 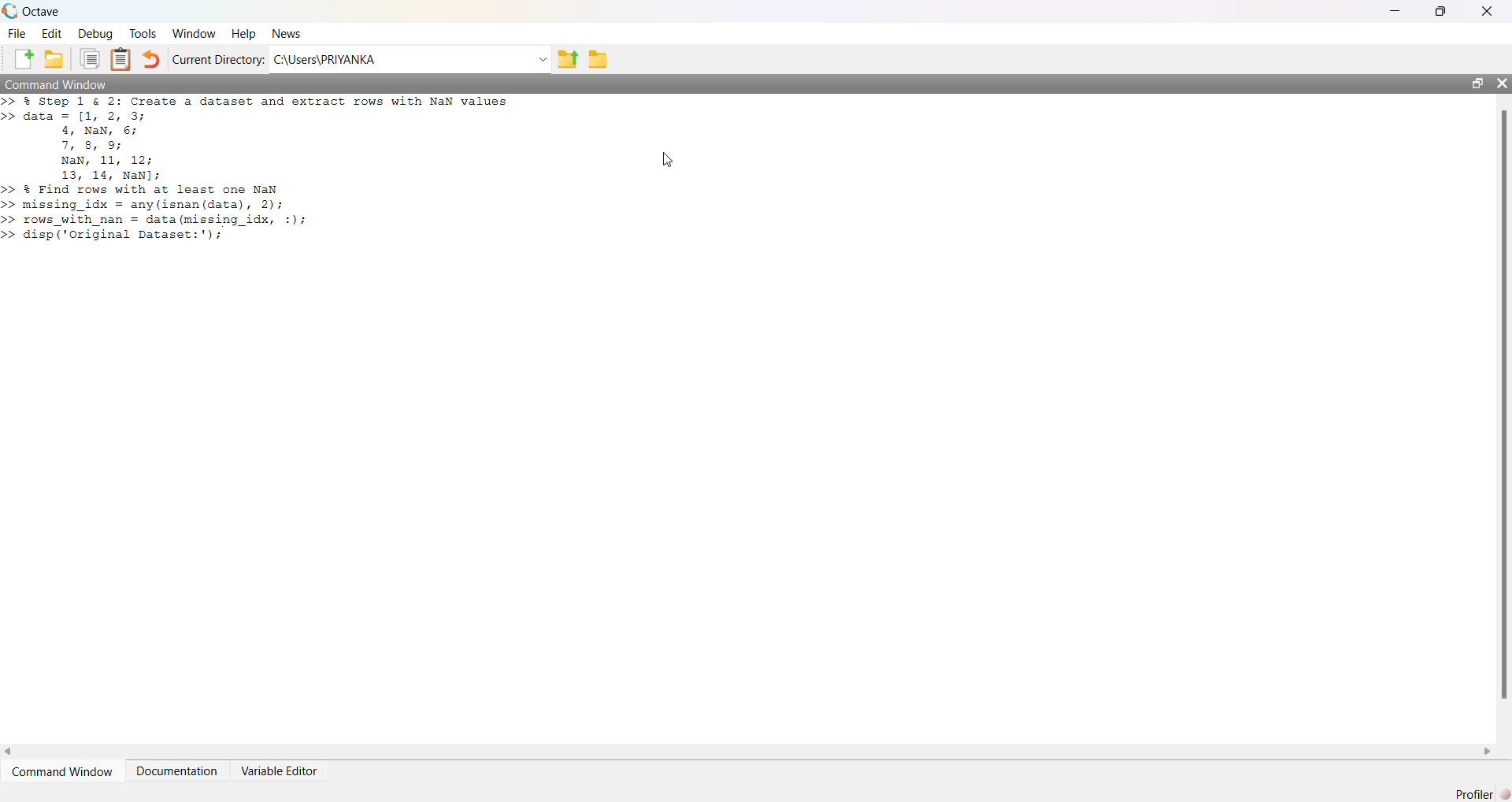 What do you see at coordinates (1482, 794) in the screenshot?
I see `Profiler` at bounding box center [1482, 794].